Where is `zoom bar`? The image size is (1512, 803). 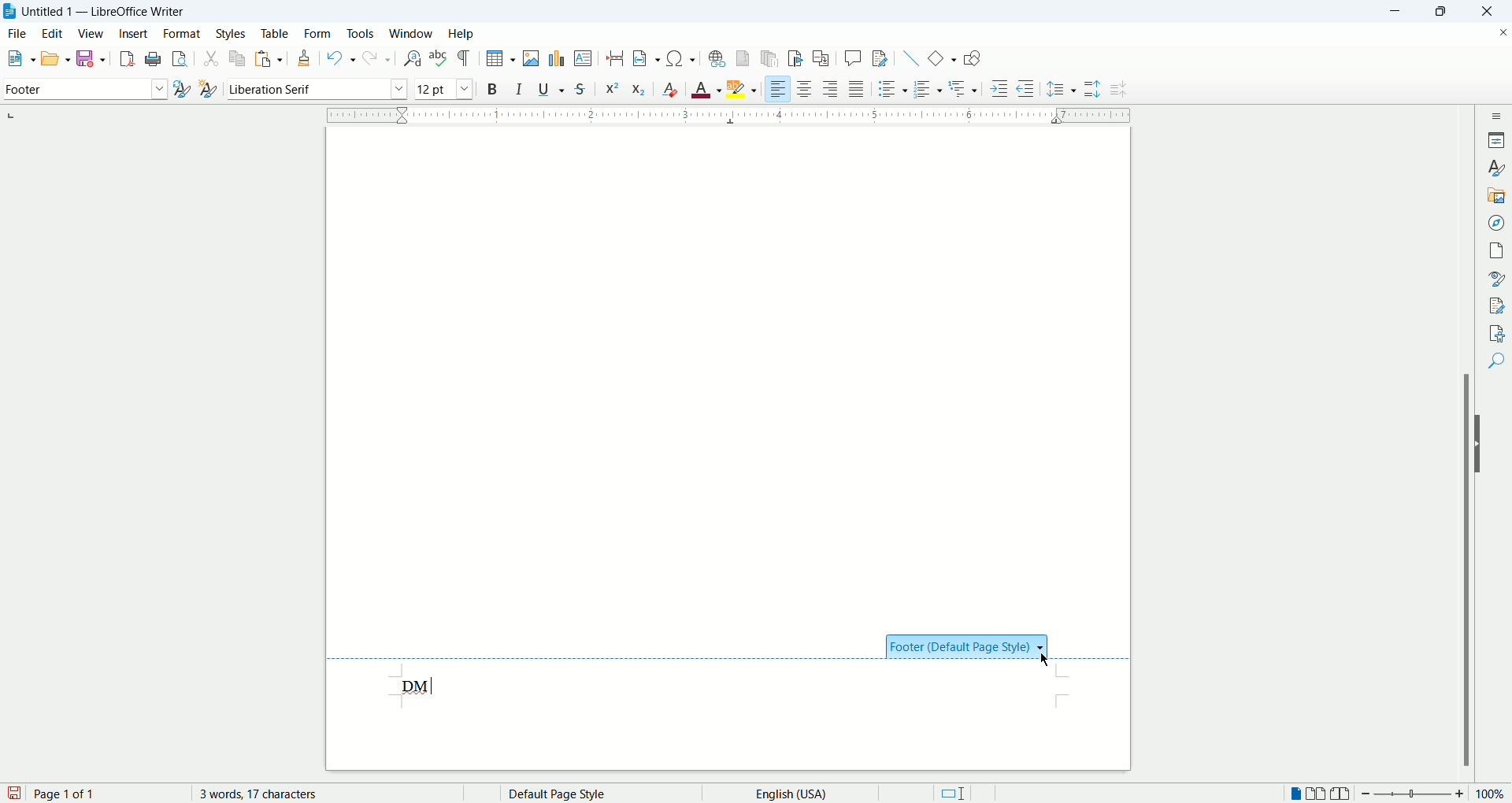 zoom bar is located at coordinates (1412, 794).